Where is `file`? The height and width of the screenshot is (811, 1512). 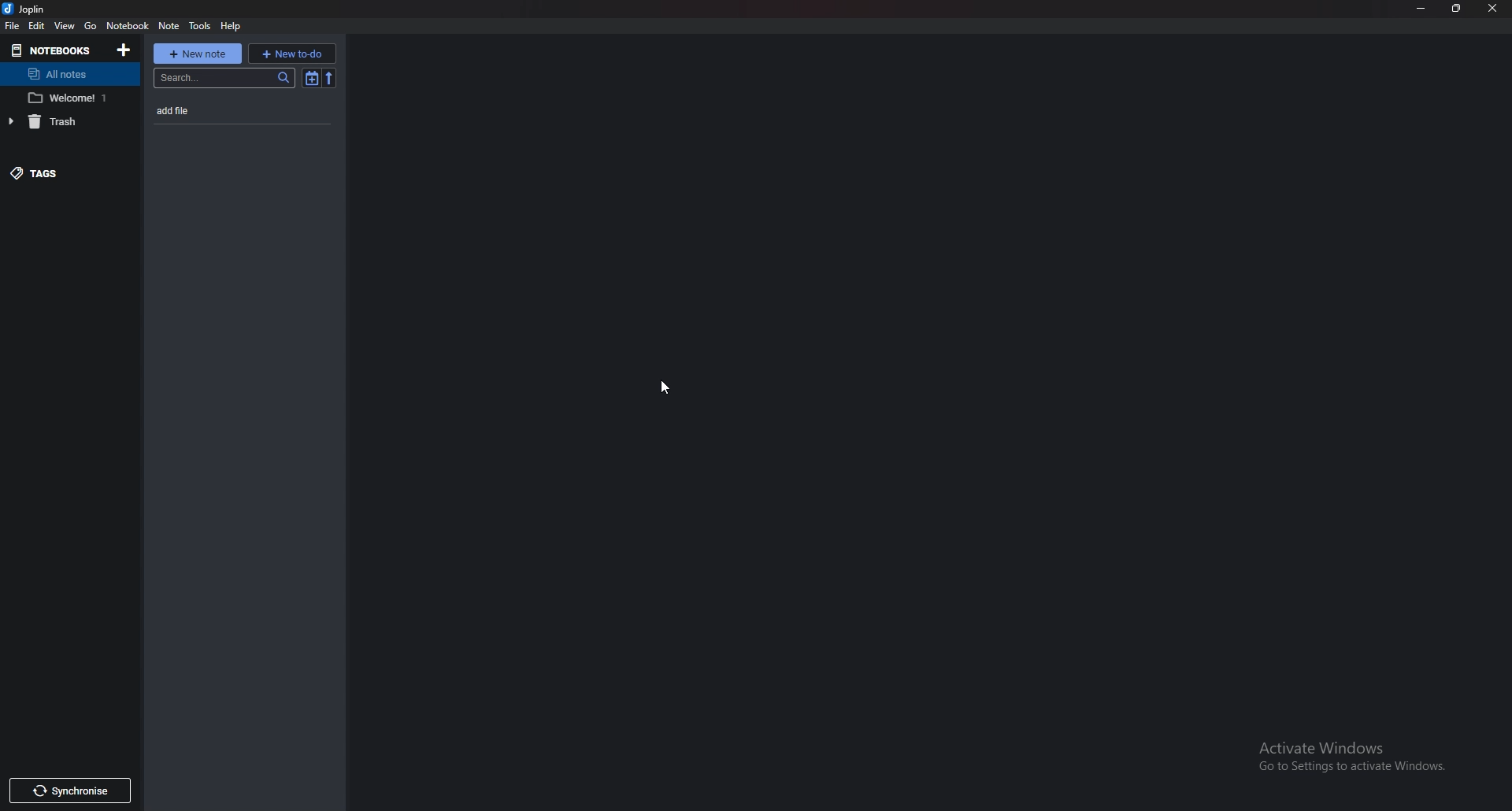
file is located at coordinates (13, 25).